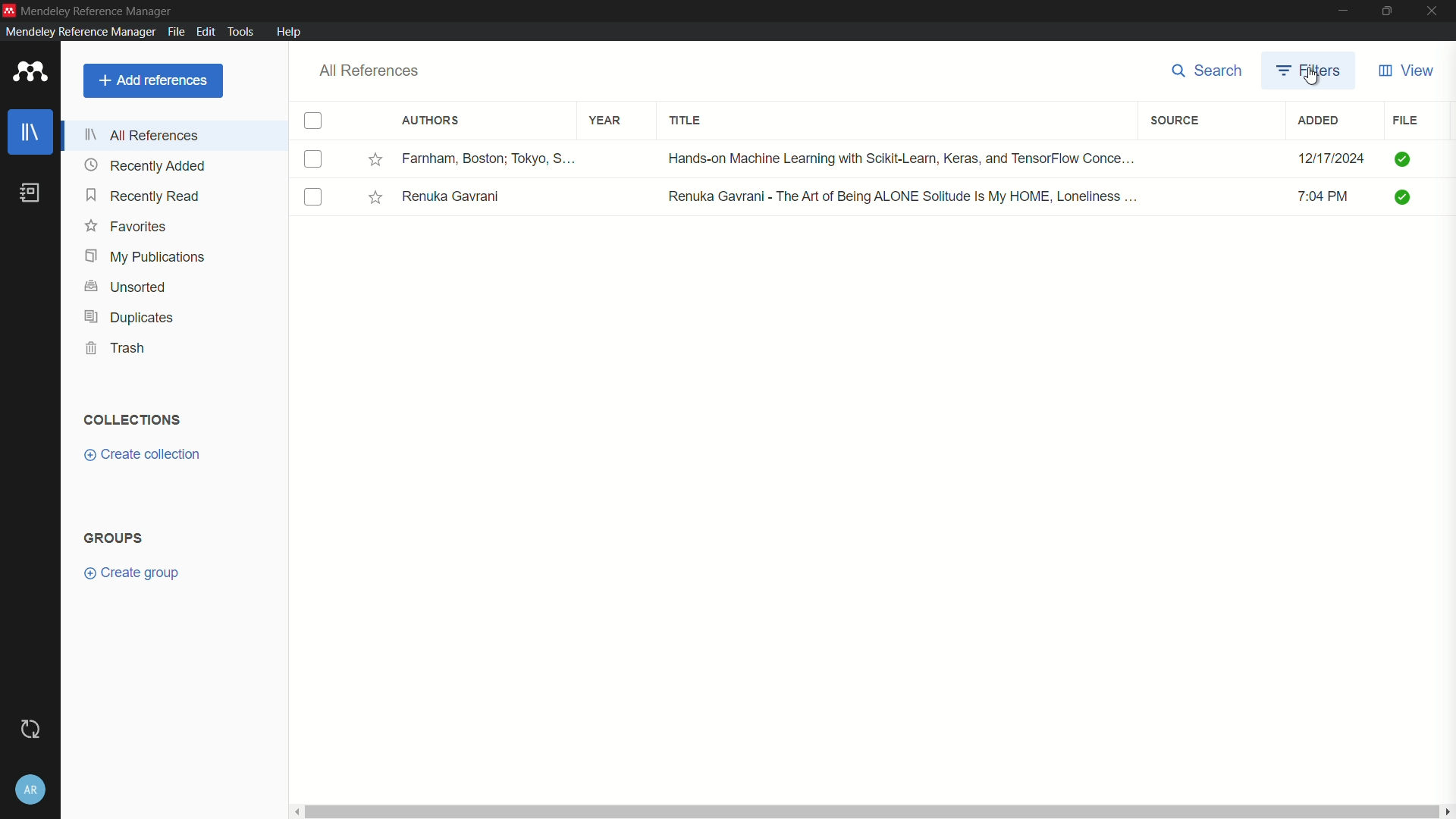  I want to click on Horizontal scroll bar, so click(870, 811).